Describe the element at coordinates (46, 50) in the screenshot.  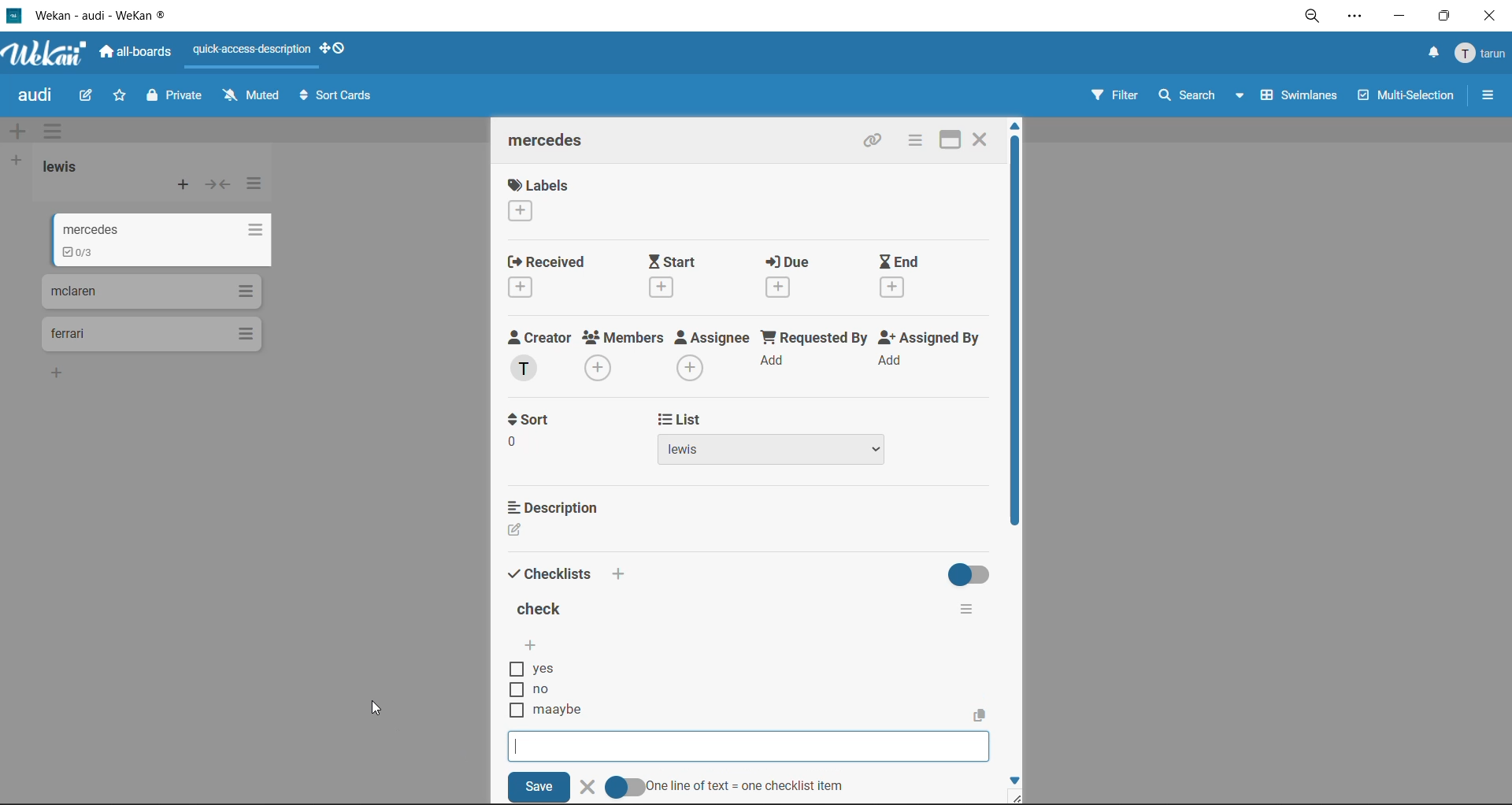
I see `app logo` at that location.